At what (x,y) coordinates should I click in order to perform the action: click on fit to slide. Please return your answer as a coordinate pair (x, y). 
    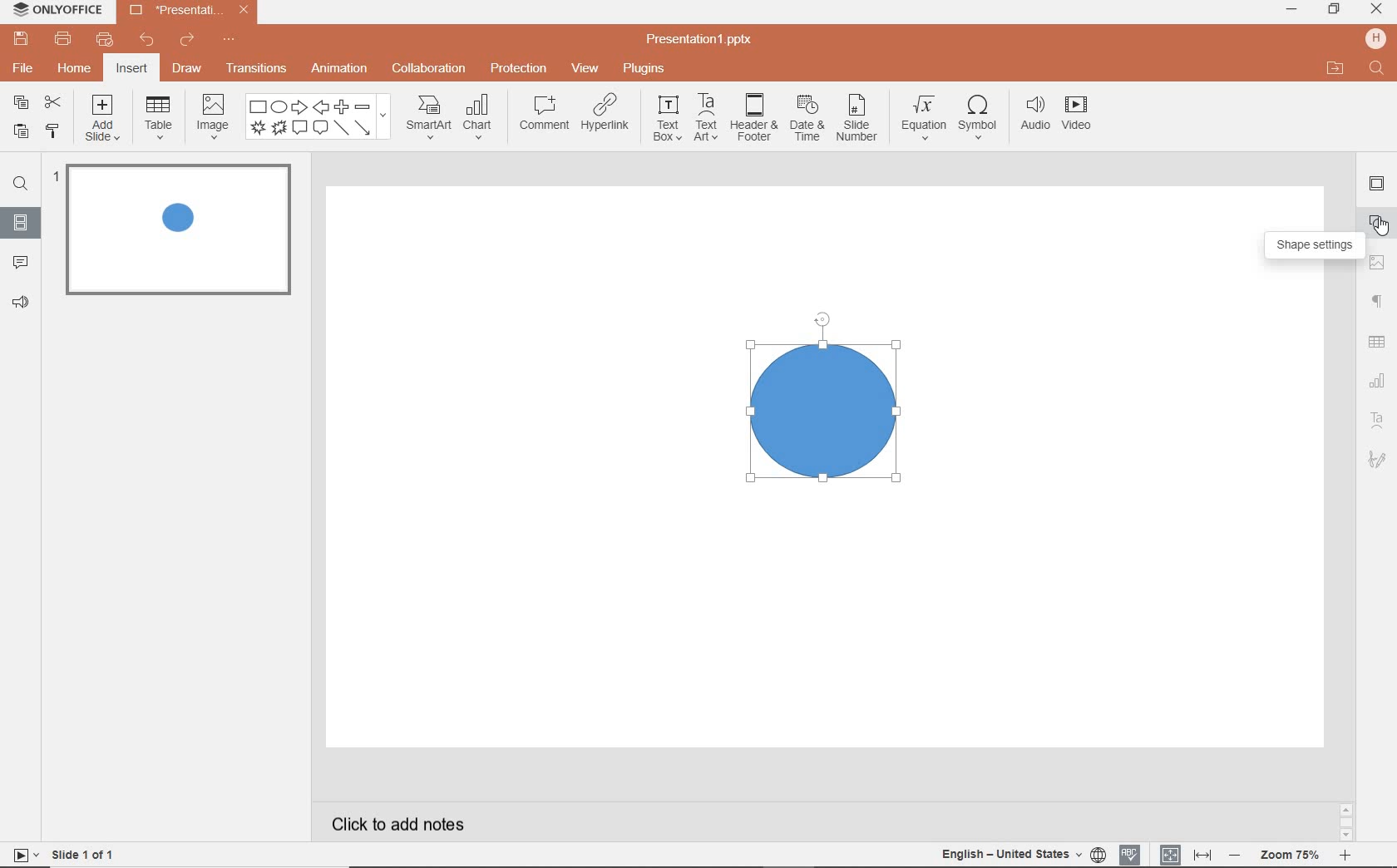
    Looking at the image, I should click on (1171, 854).